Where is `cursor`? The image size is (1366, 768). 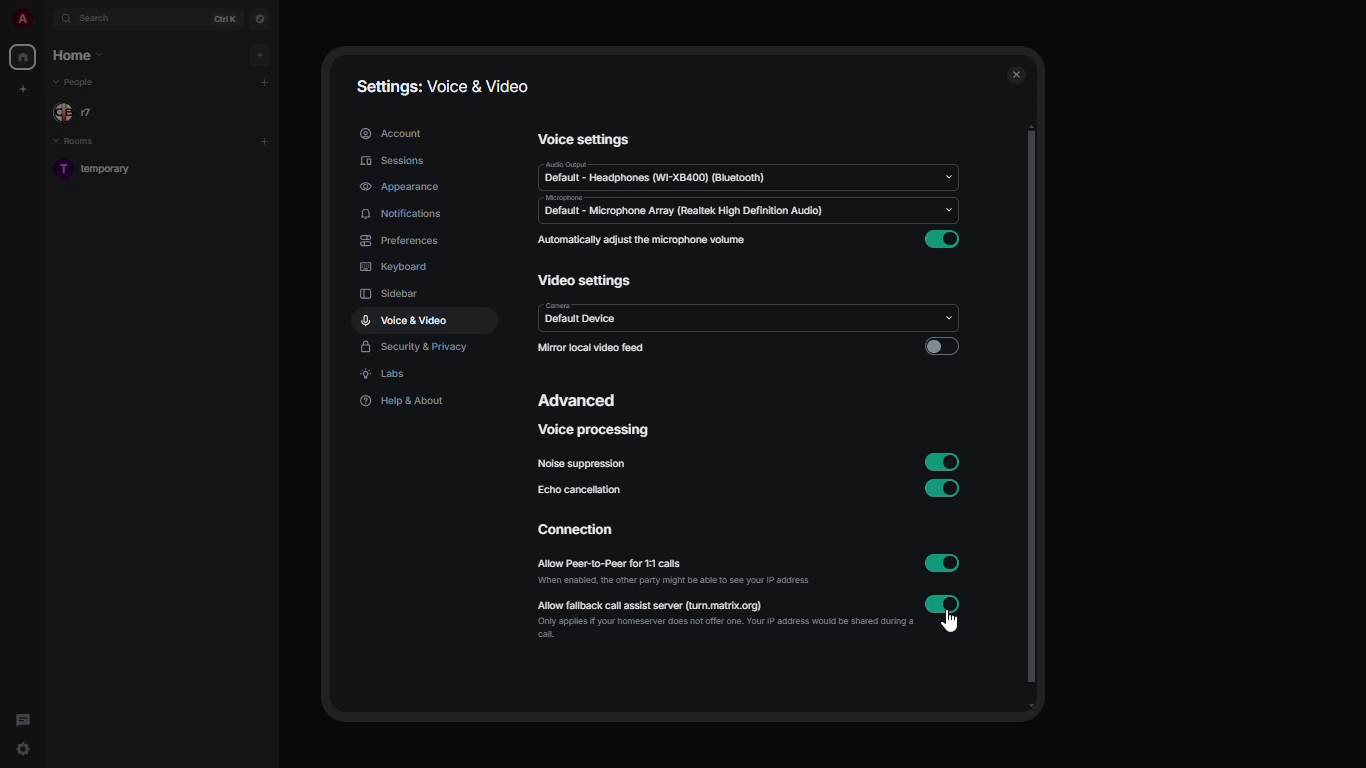
cursor is located at coordinates (955, 623).